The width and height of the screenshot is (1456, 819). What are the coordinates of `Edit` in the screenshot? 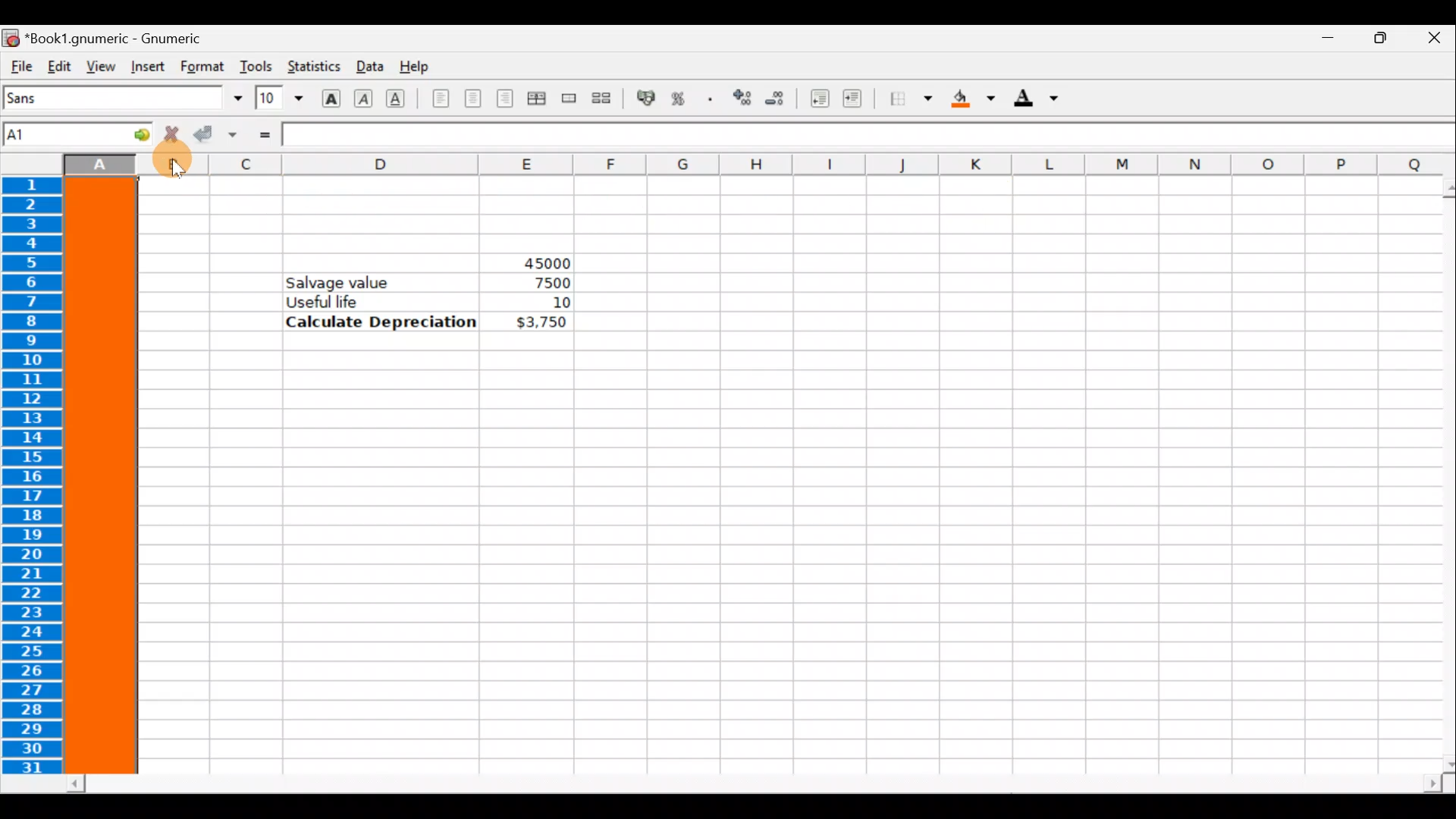 It's located at (59, 65).